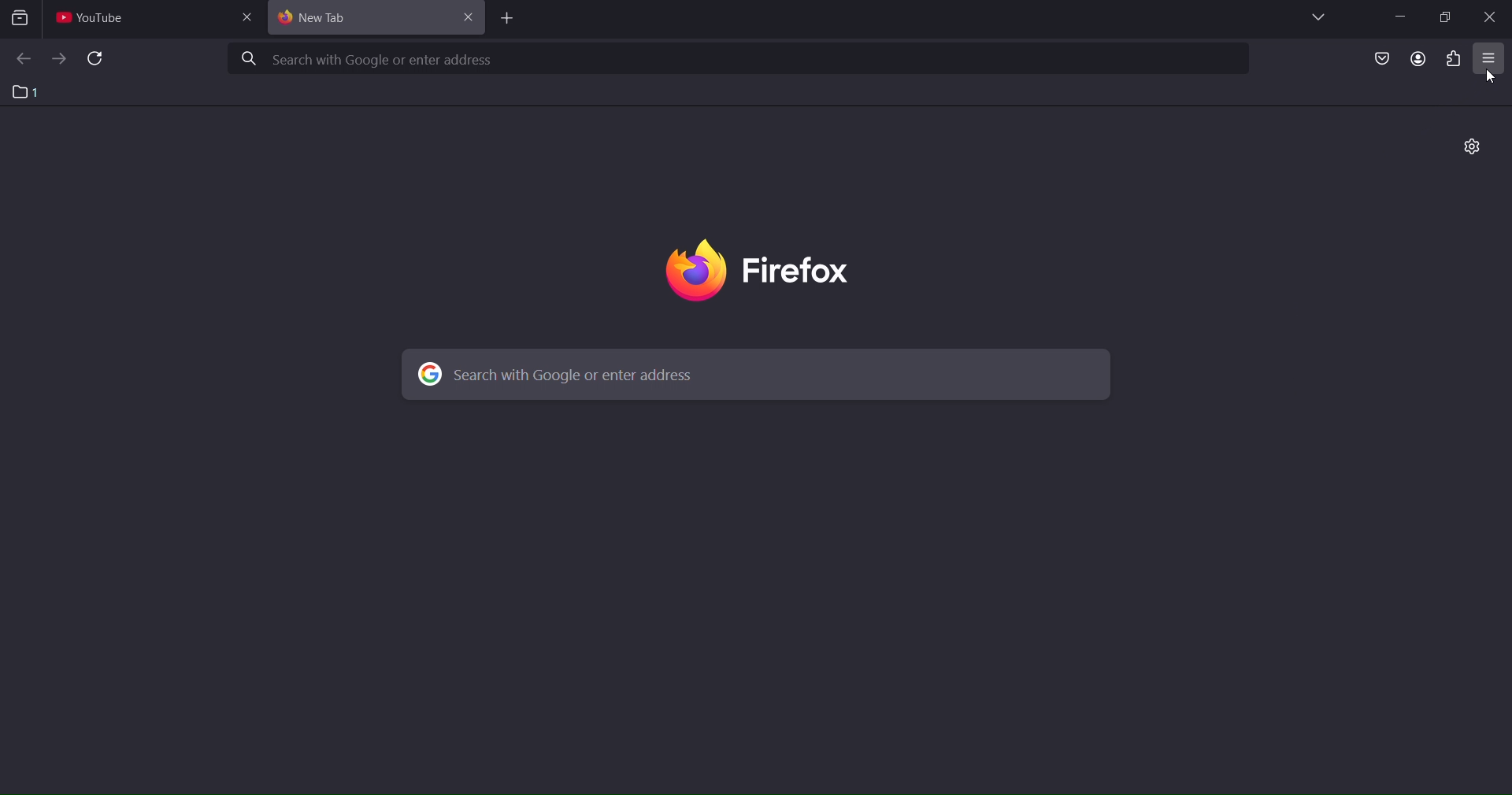 This screenshot has width=1512, height=795. What do you see at coordinates (23, 20) in the screenshot?
I see `search all tabs` at bounding box center [23, 20].